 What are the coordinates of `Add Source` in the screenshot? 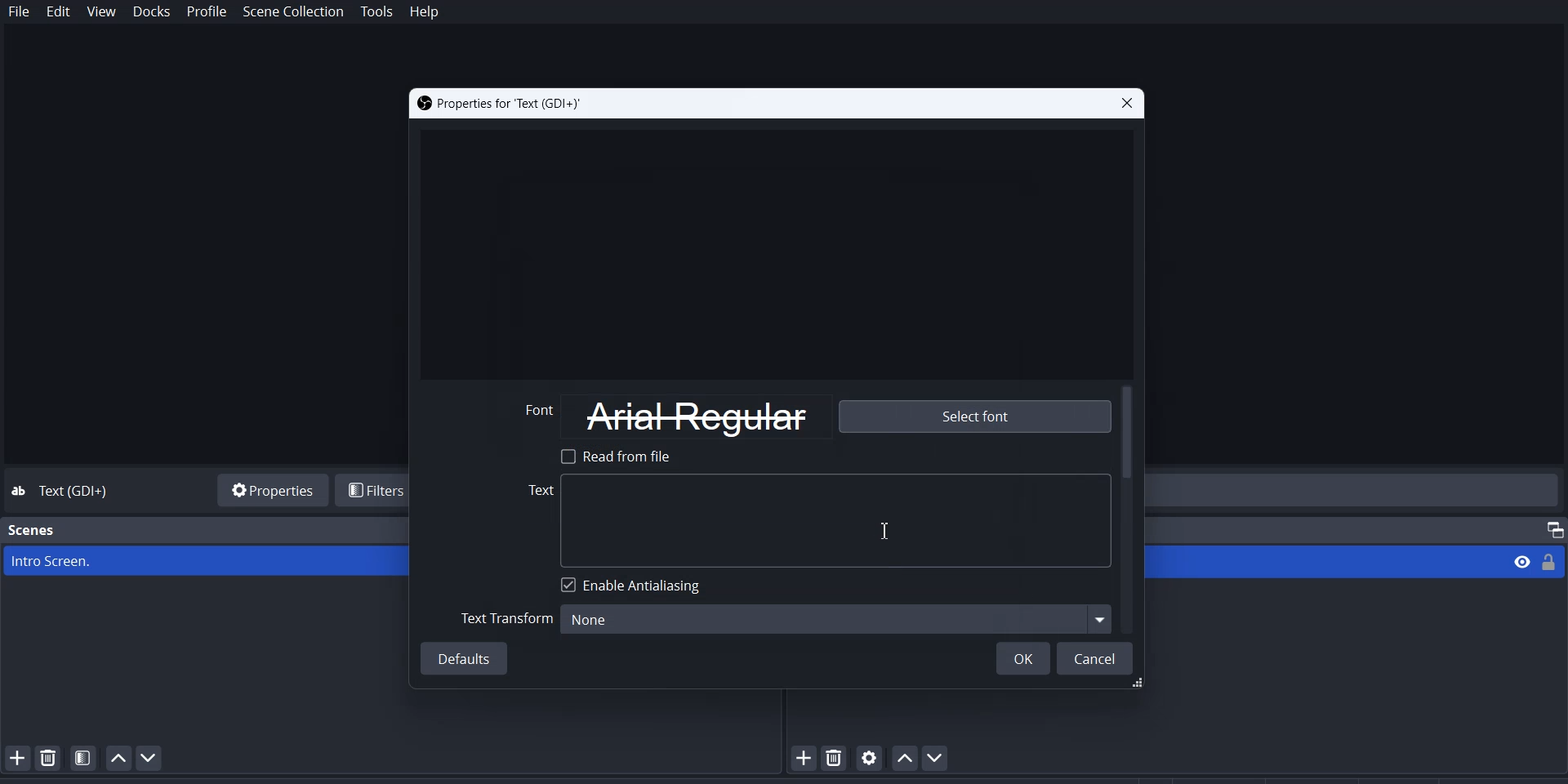 It's located at (802, 759).